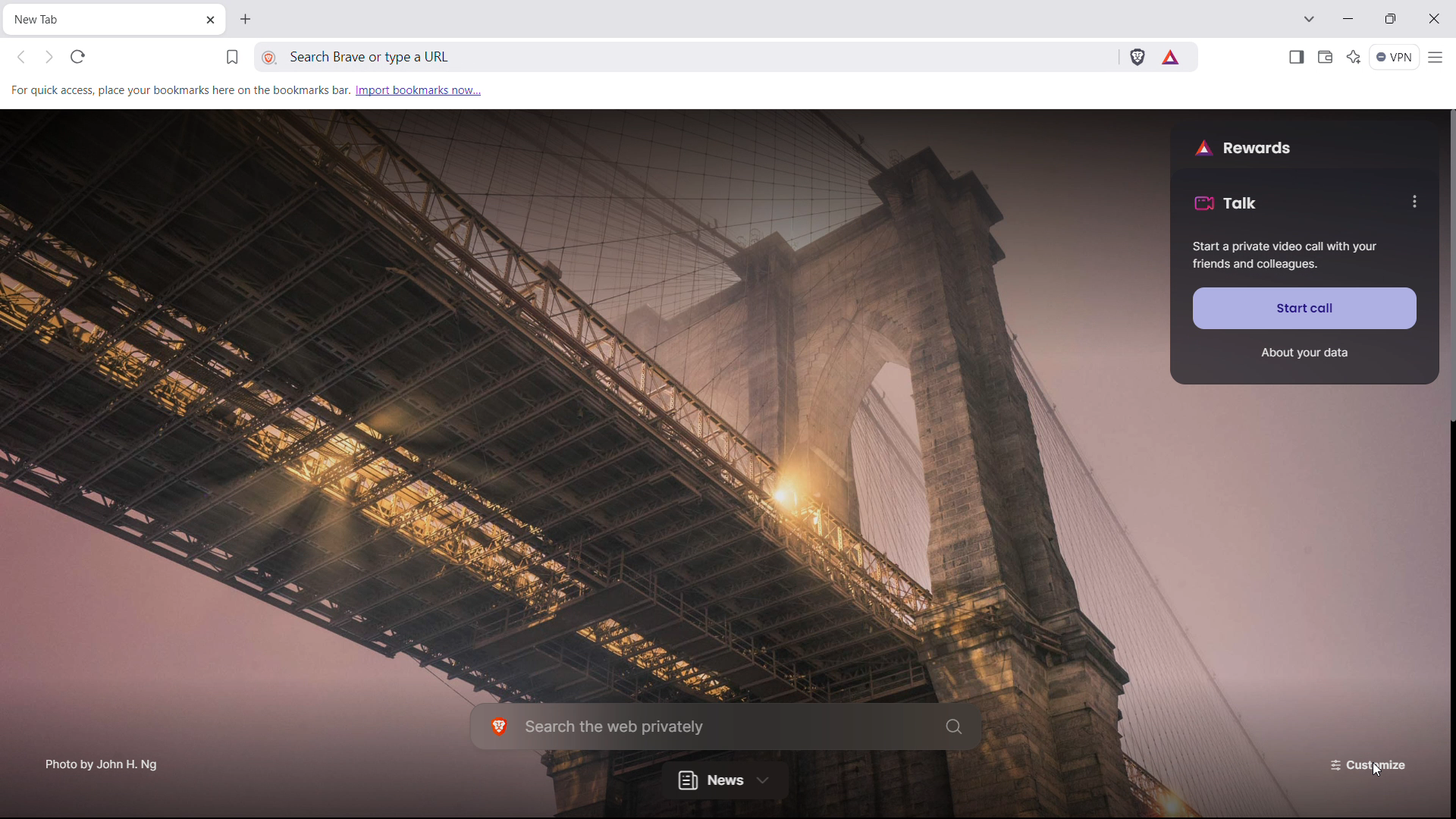 The width and height of the screenshot is (1456, 819). What do you see at coordinates (47, 19) in the screenshot?
I see `tab title` at bounding box center [47, 19].